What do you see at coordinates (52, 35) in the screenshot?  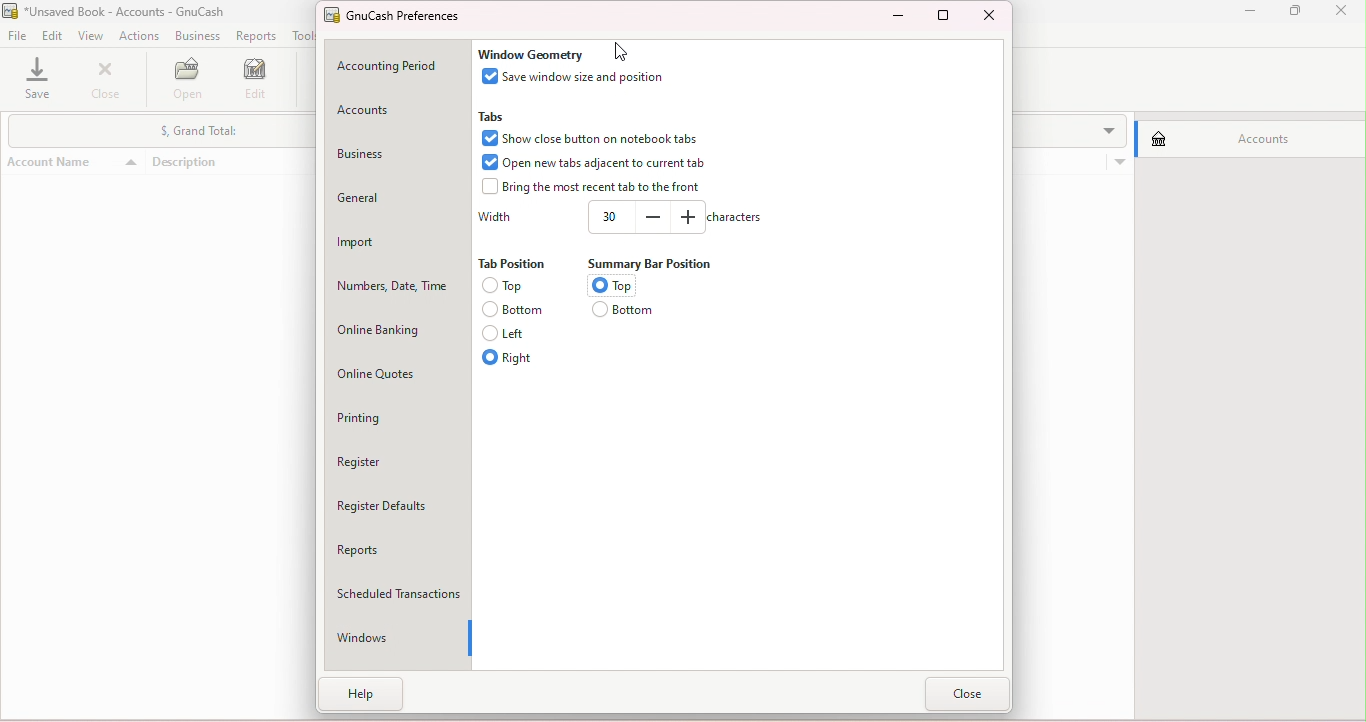 I see `Edit` at bounding box center [52, 35].